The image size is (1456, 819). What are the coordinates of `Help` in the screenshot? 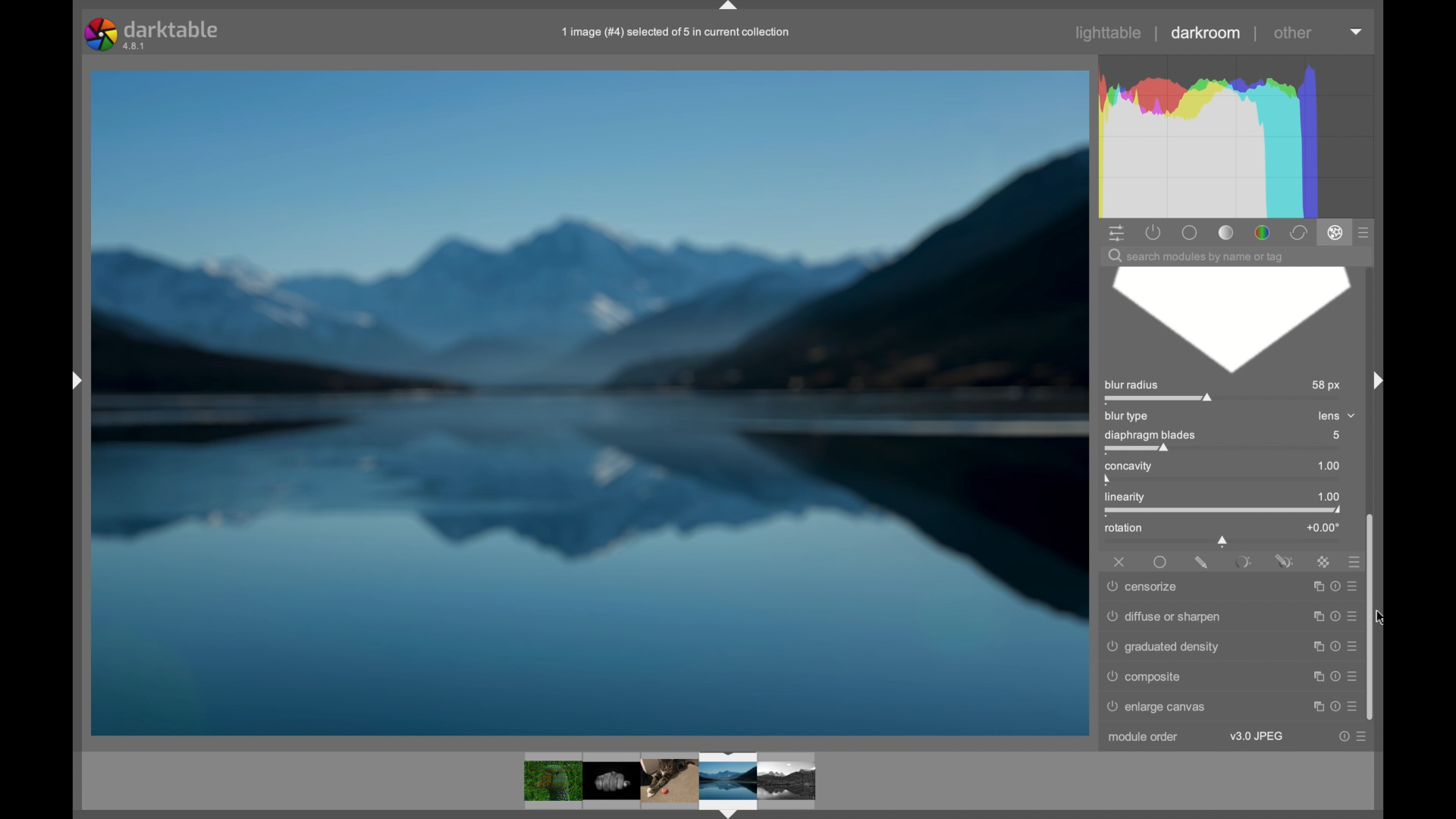 It's located at (1335, 704).